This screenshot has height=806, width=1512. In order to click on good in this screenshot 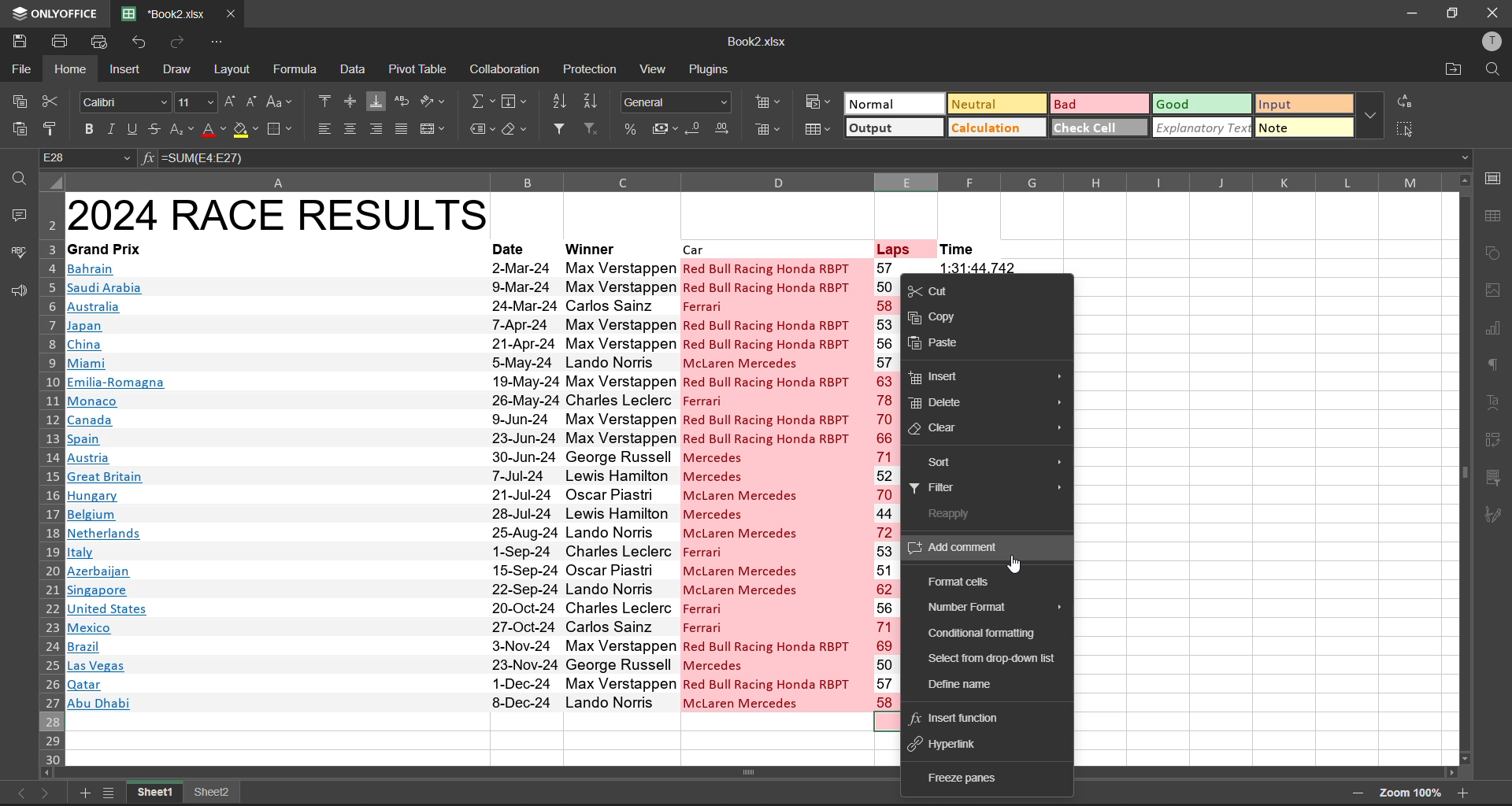, I will do `click(1200, 103)`.